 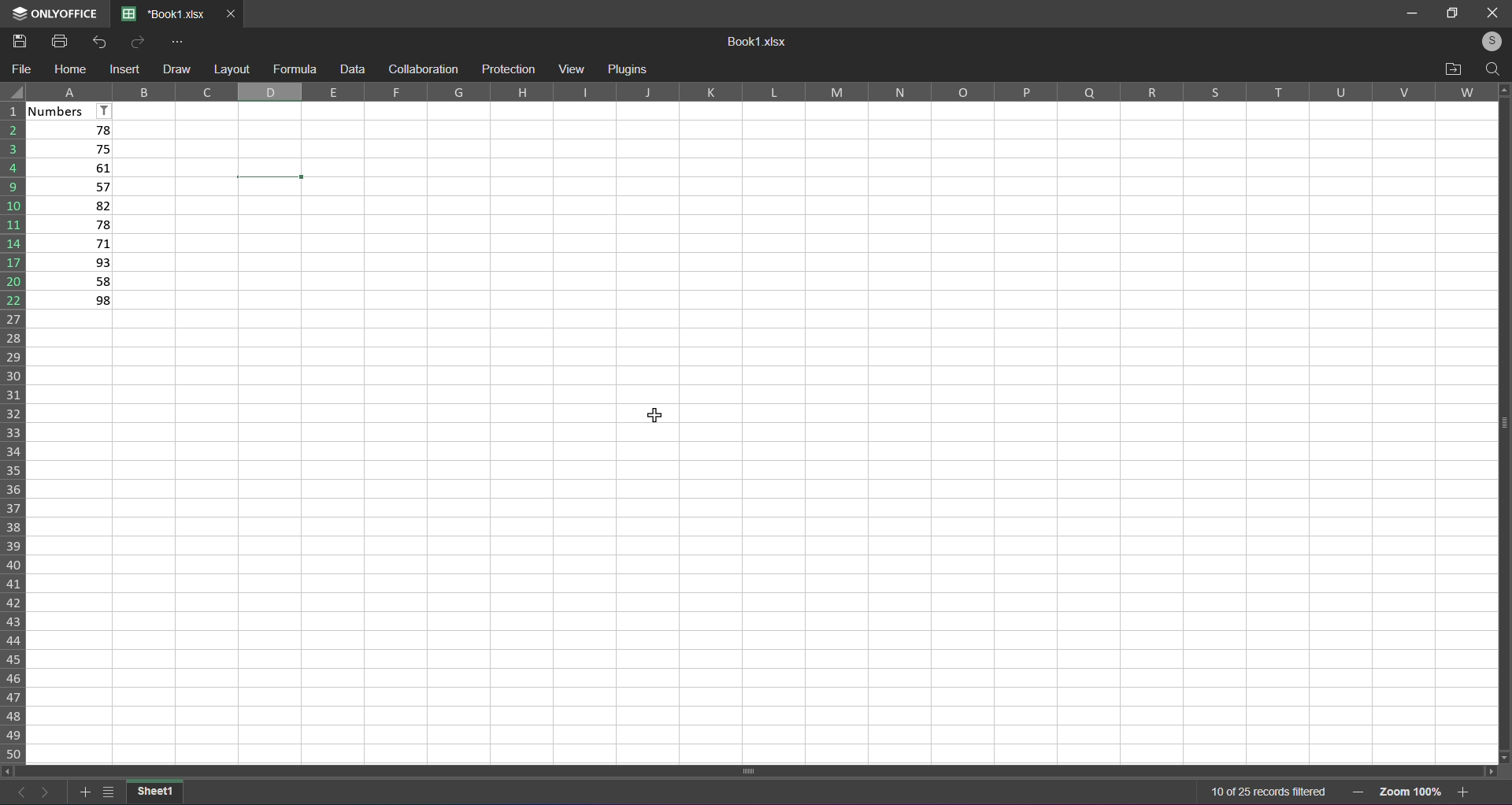 I want to click on Zoom out, so click(x=1358, y=792).